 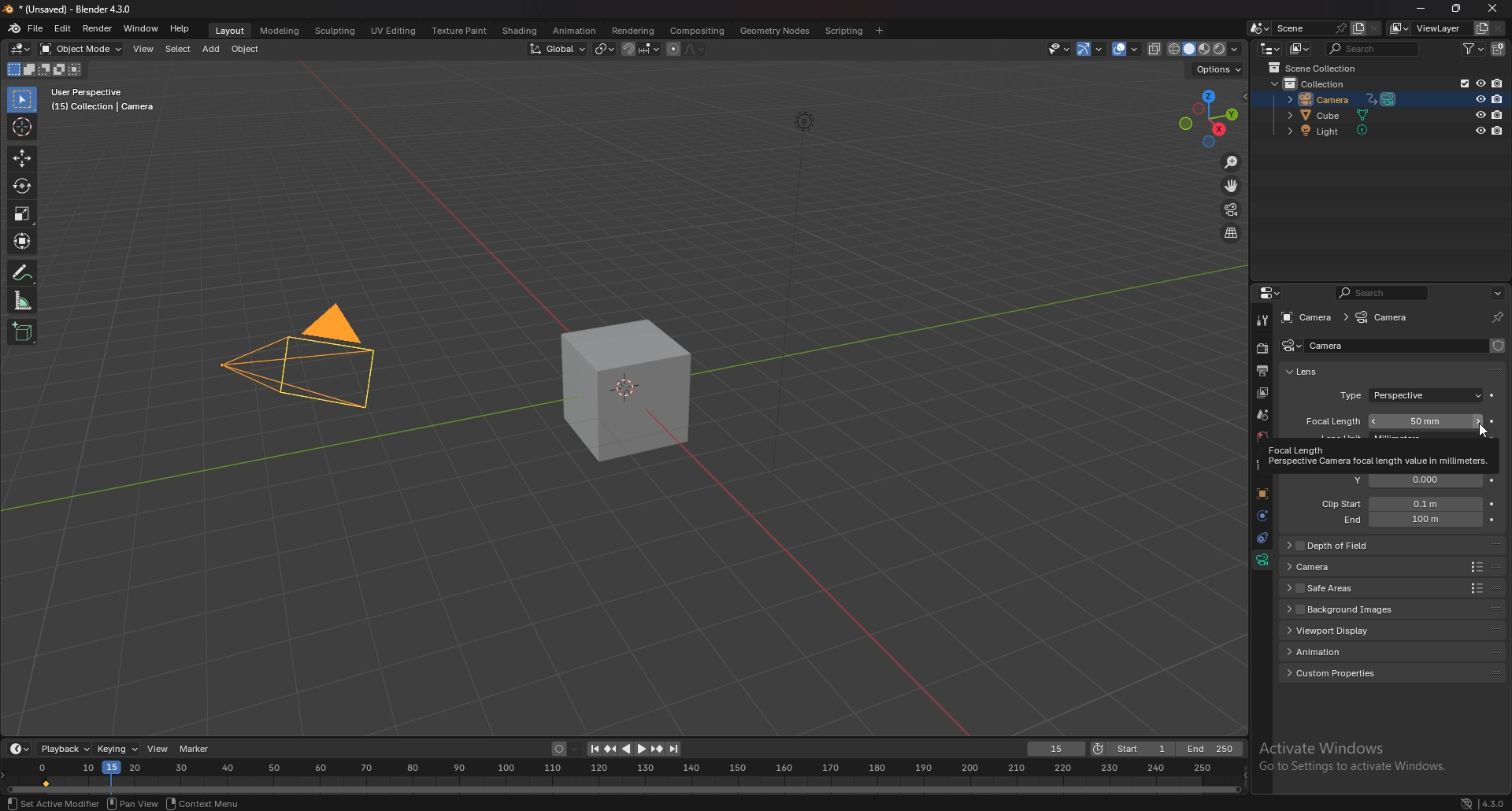 I want to click on selector, so click(x=22, y=100).